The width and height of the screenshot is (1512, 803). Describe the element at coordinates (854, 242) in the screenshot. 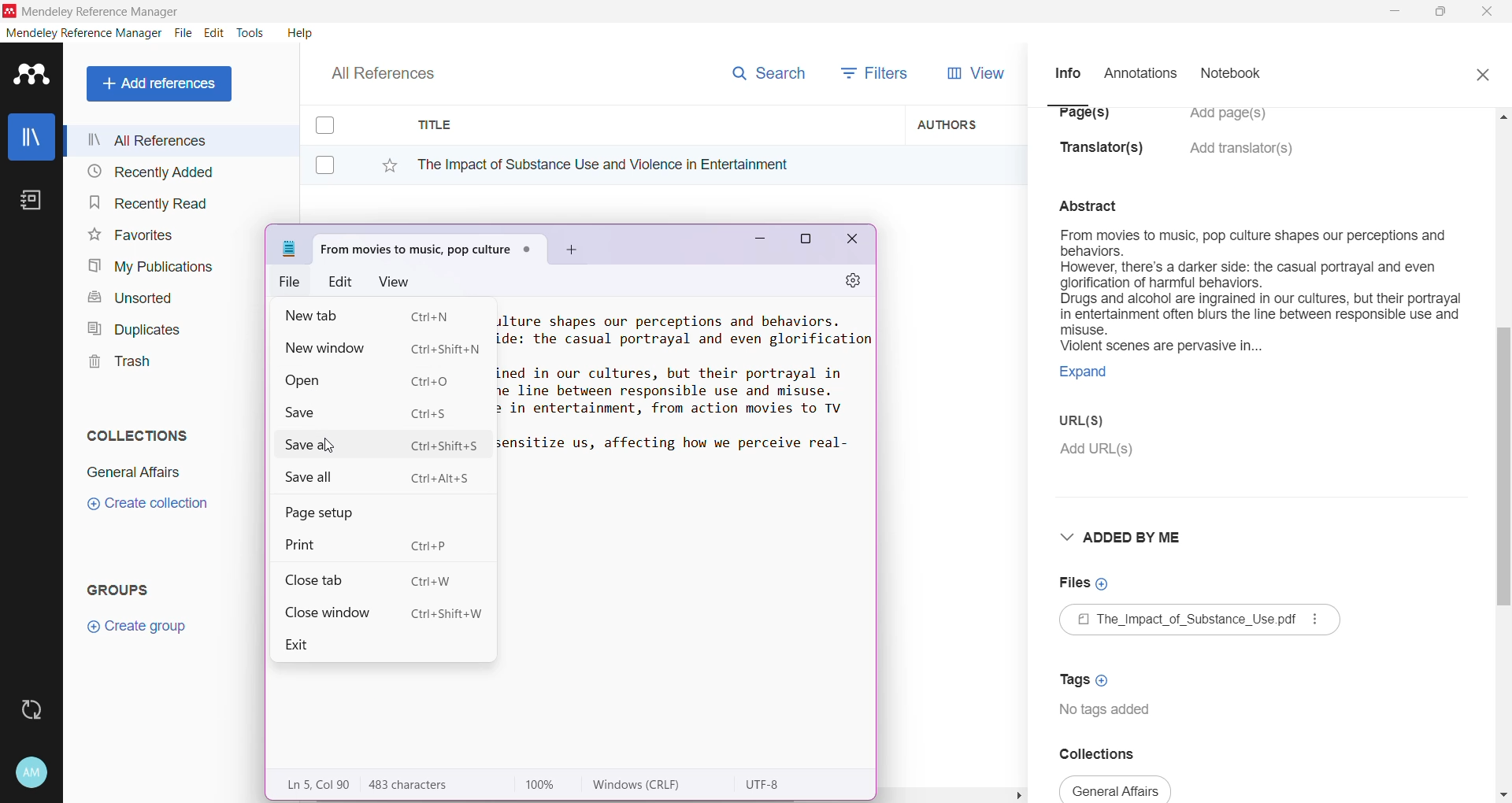

I see `Close` at that location.